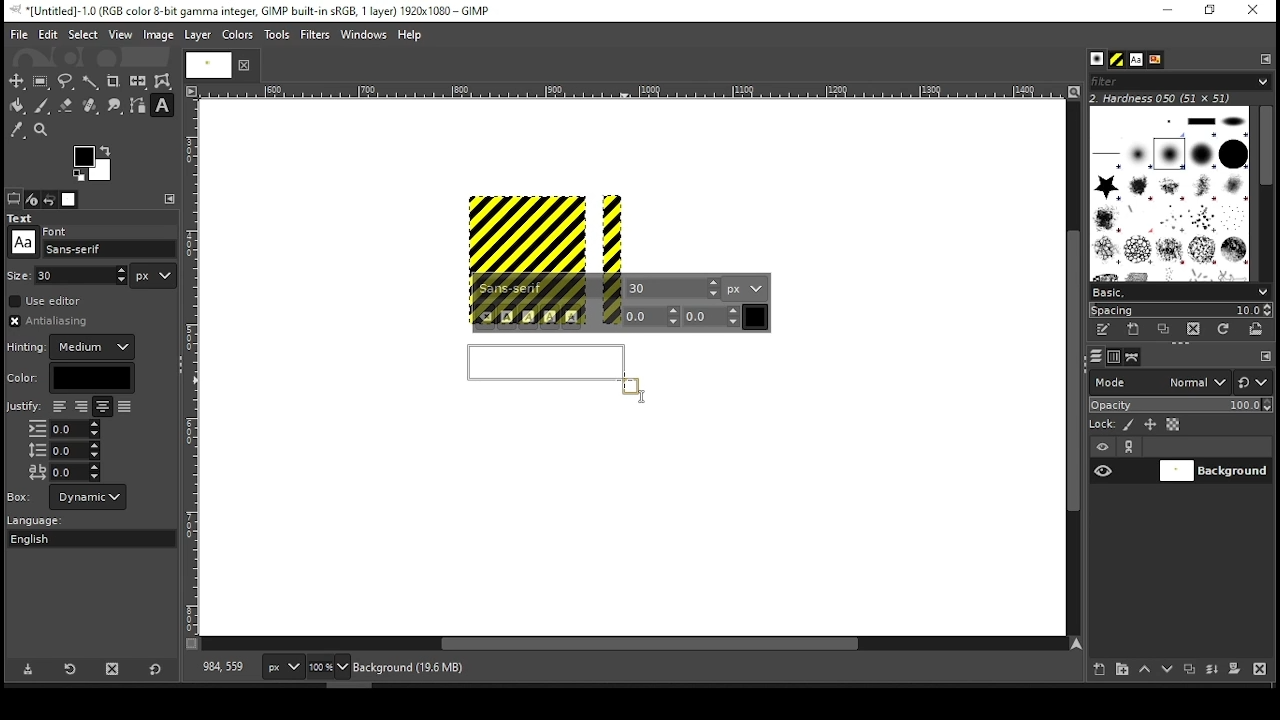  What do you see at coordinates (1097, 60) in the screenshot?
I see `brushes` at bounding box center [1097, 60].